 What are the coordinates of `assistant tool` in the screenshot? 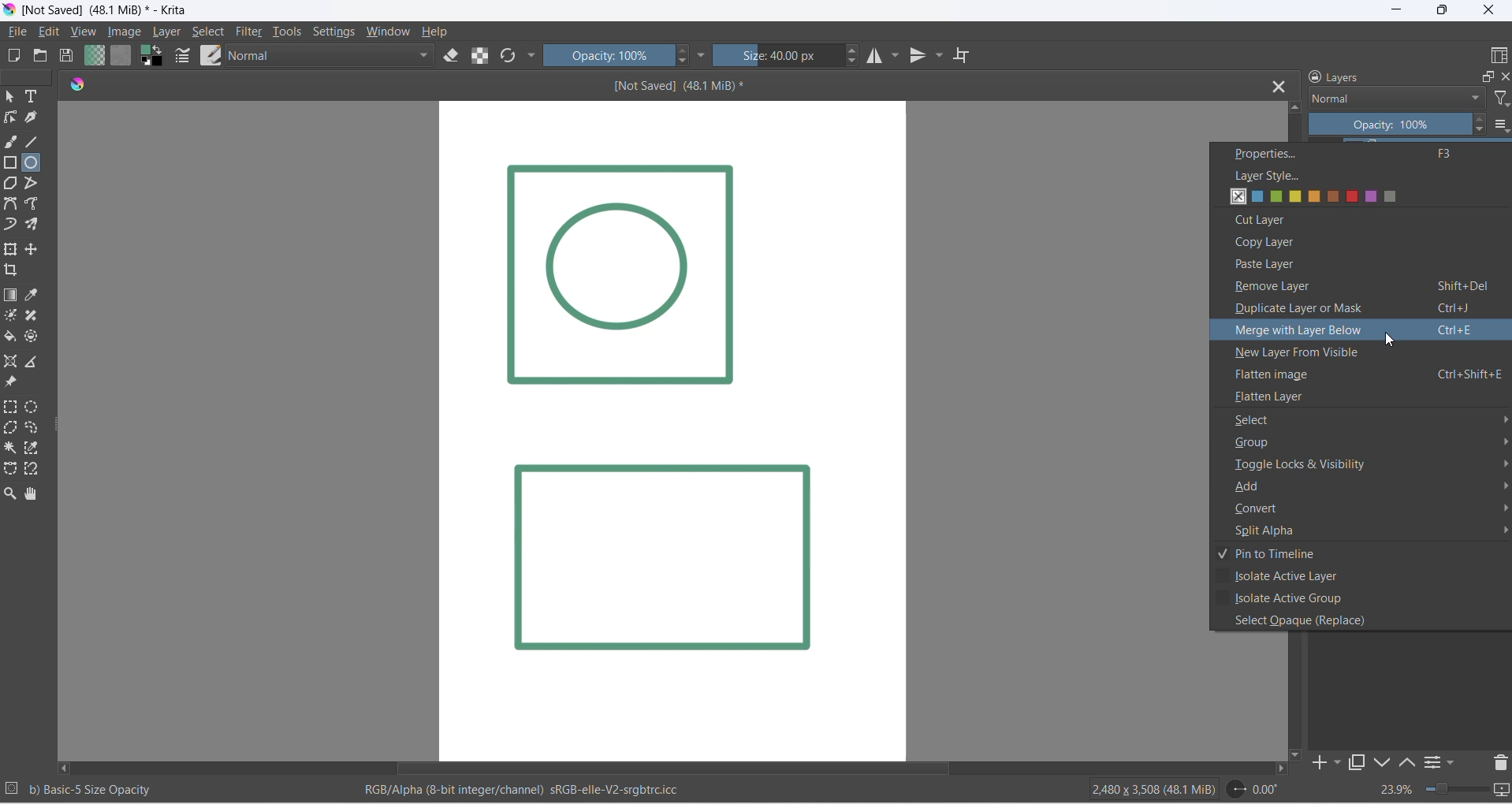 It's located at (11, 362).